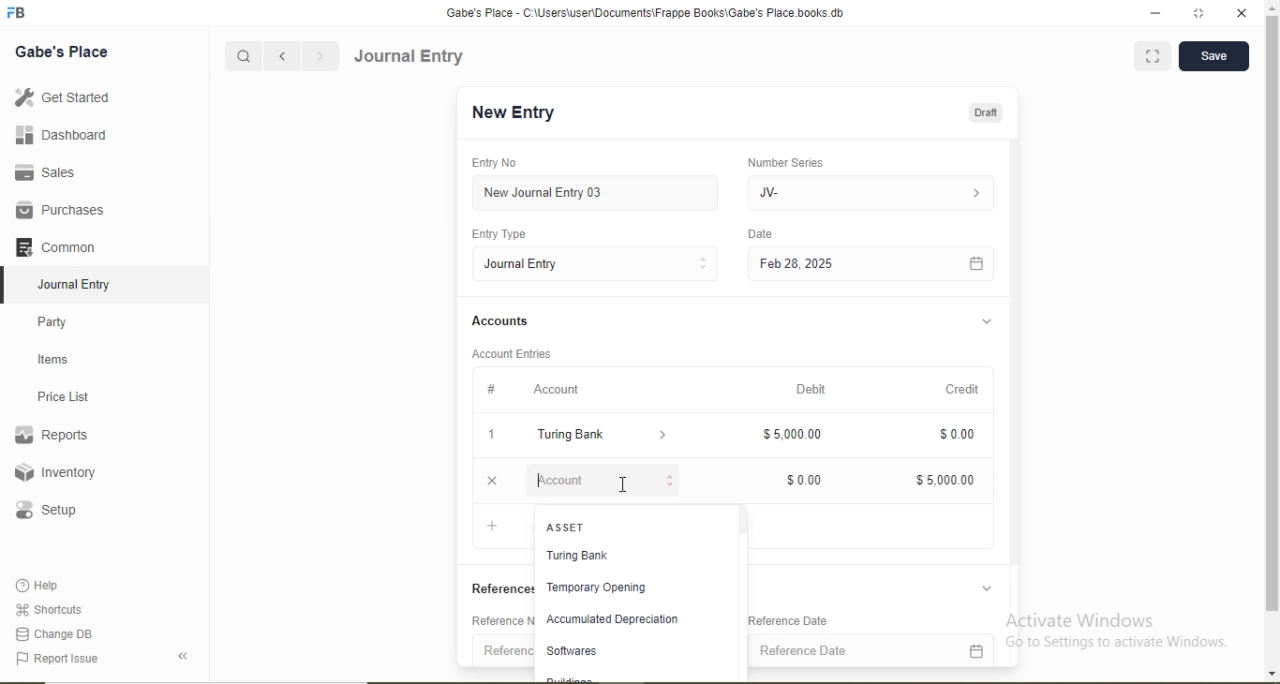  I want to click on $5,000.00, so click(950, 481).